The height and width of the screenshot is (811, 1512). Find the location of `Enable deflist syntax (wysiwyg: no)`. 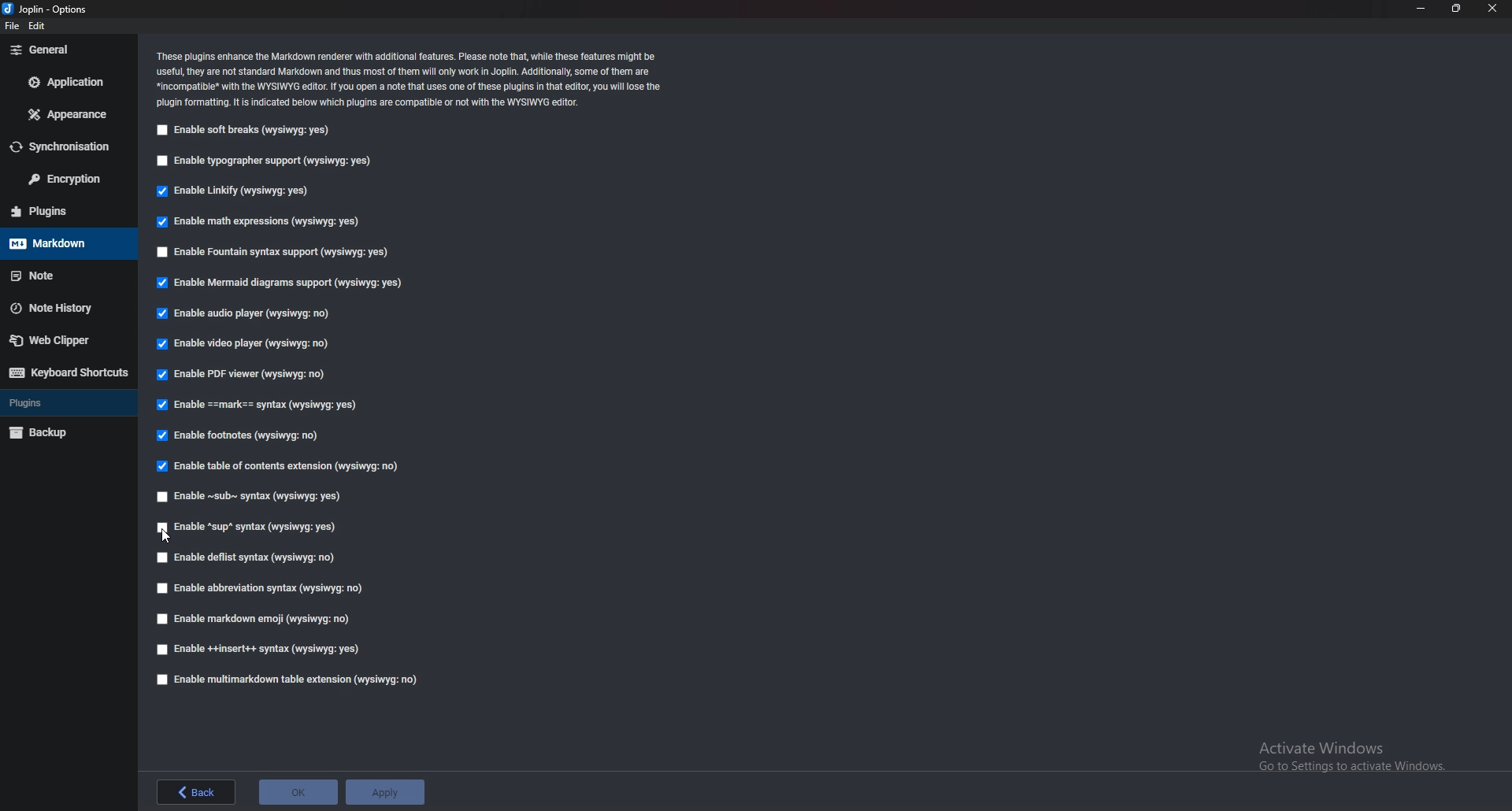

Enable deflist syntax (wysiwyg: no) is located at coordinates (249, 558).